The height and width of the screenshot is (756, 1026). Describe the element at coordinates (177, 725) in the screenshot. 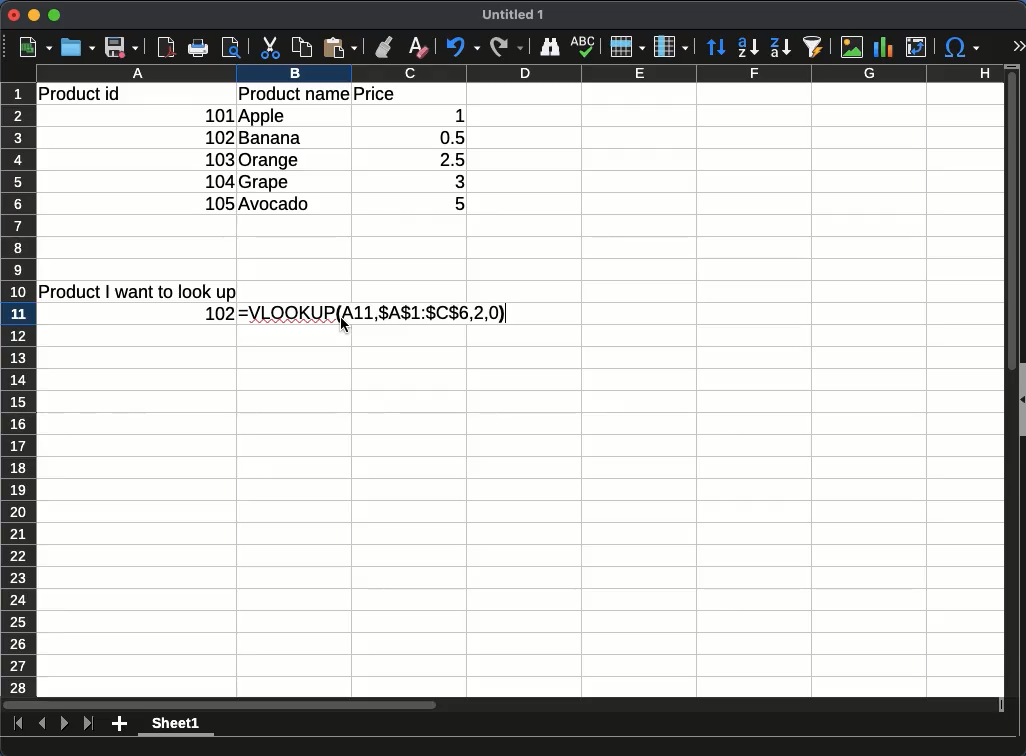

I see `sheet1` at that location.